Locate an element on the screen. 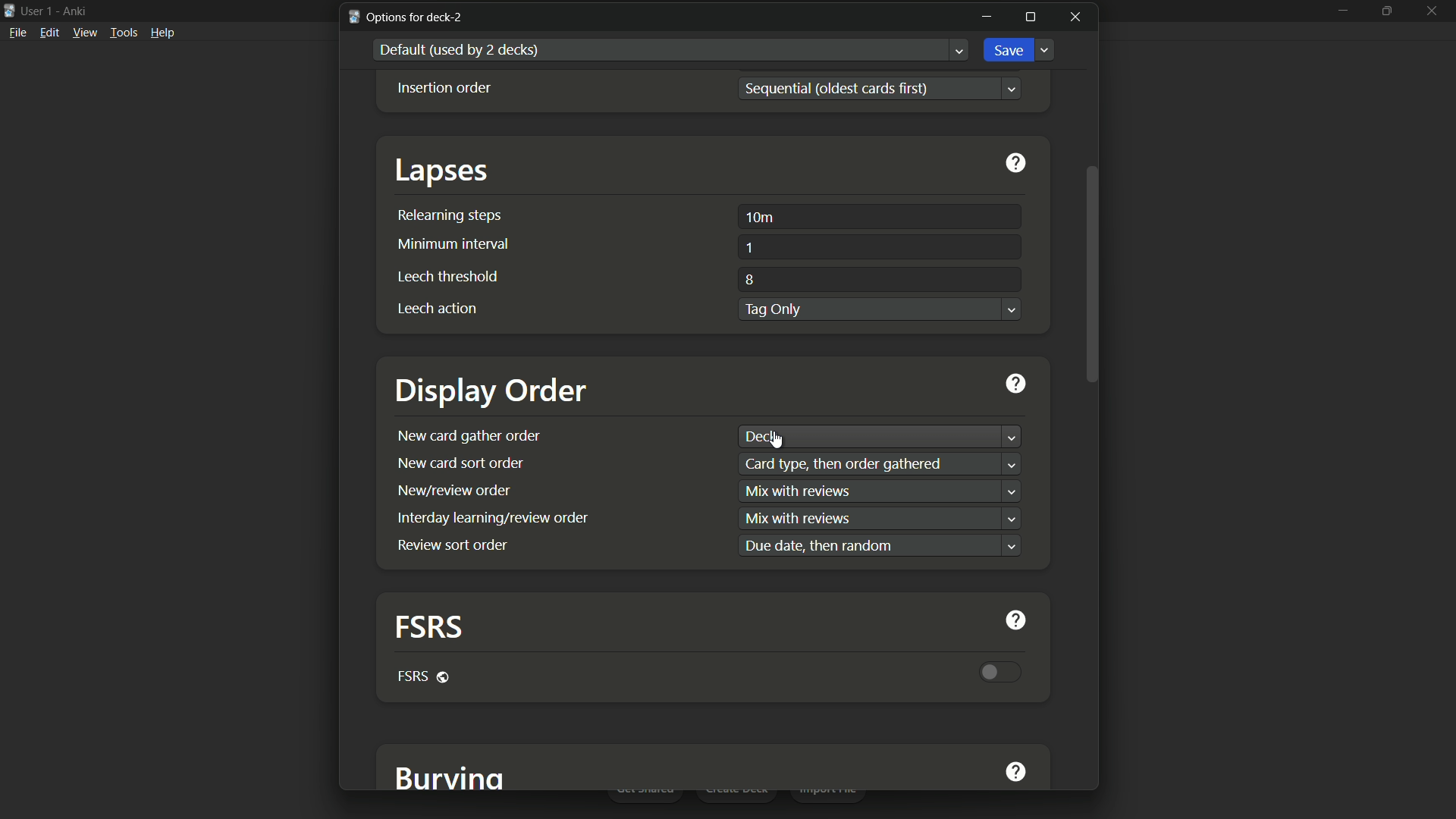 The height and width of the screenshot is (819, 1456). text is located at coordinates (798, 519).